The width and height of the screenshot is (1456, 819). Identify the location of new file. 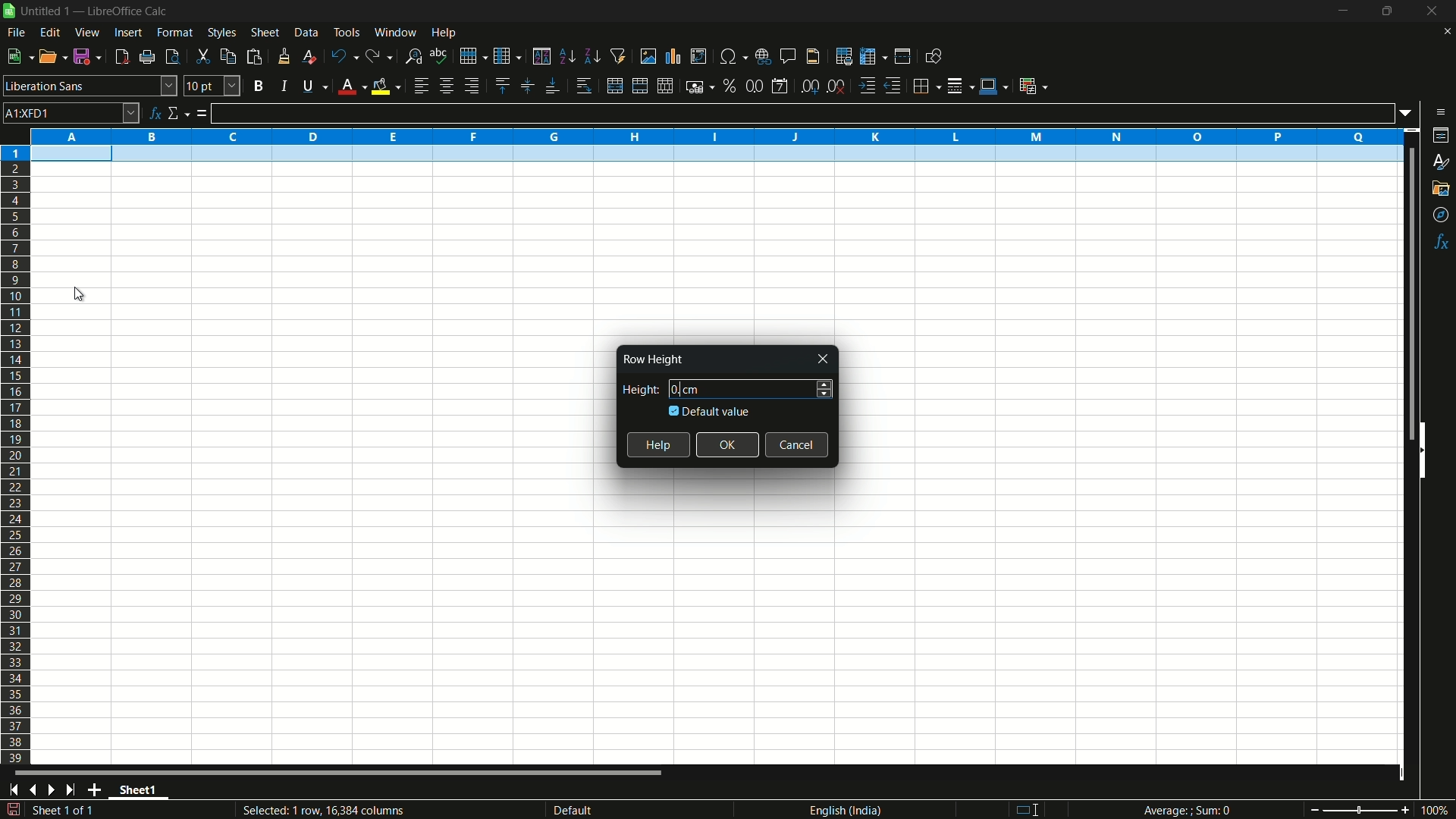
(18, 56).